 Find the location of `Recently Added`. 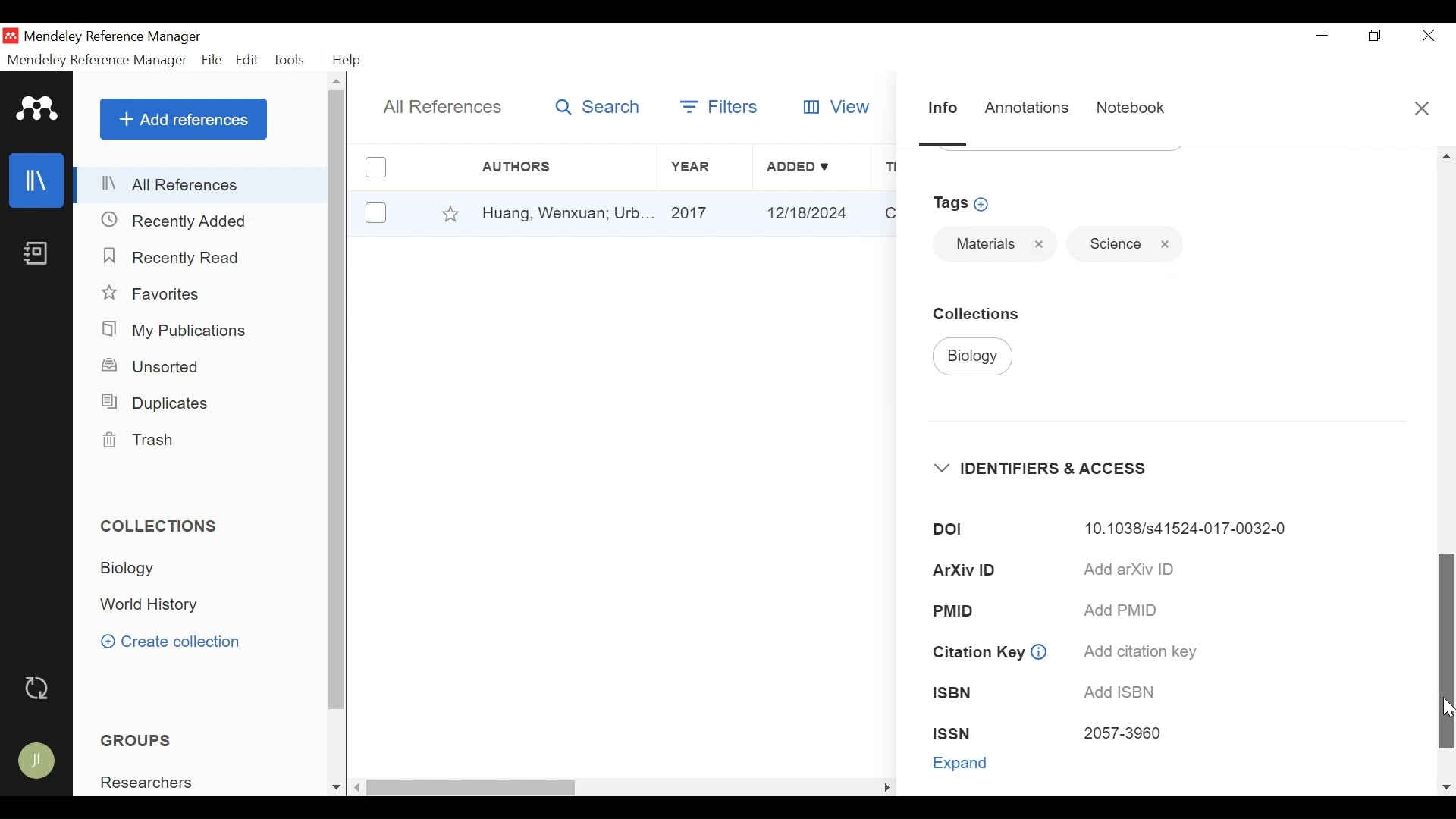

Recently Added is located at coordinates (178, 221).